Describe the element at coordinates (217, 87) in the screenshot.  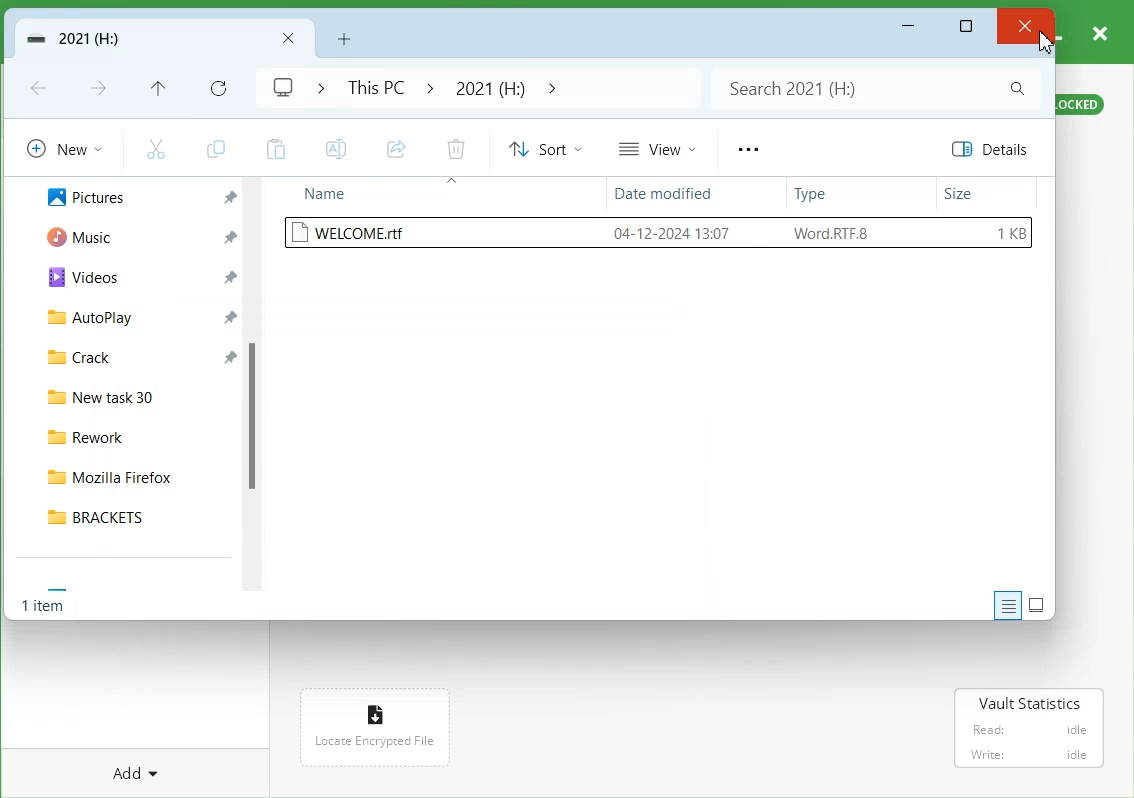
I see `Refresh` at that location.